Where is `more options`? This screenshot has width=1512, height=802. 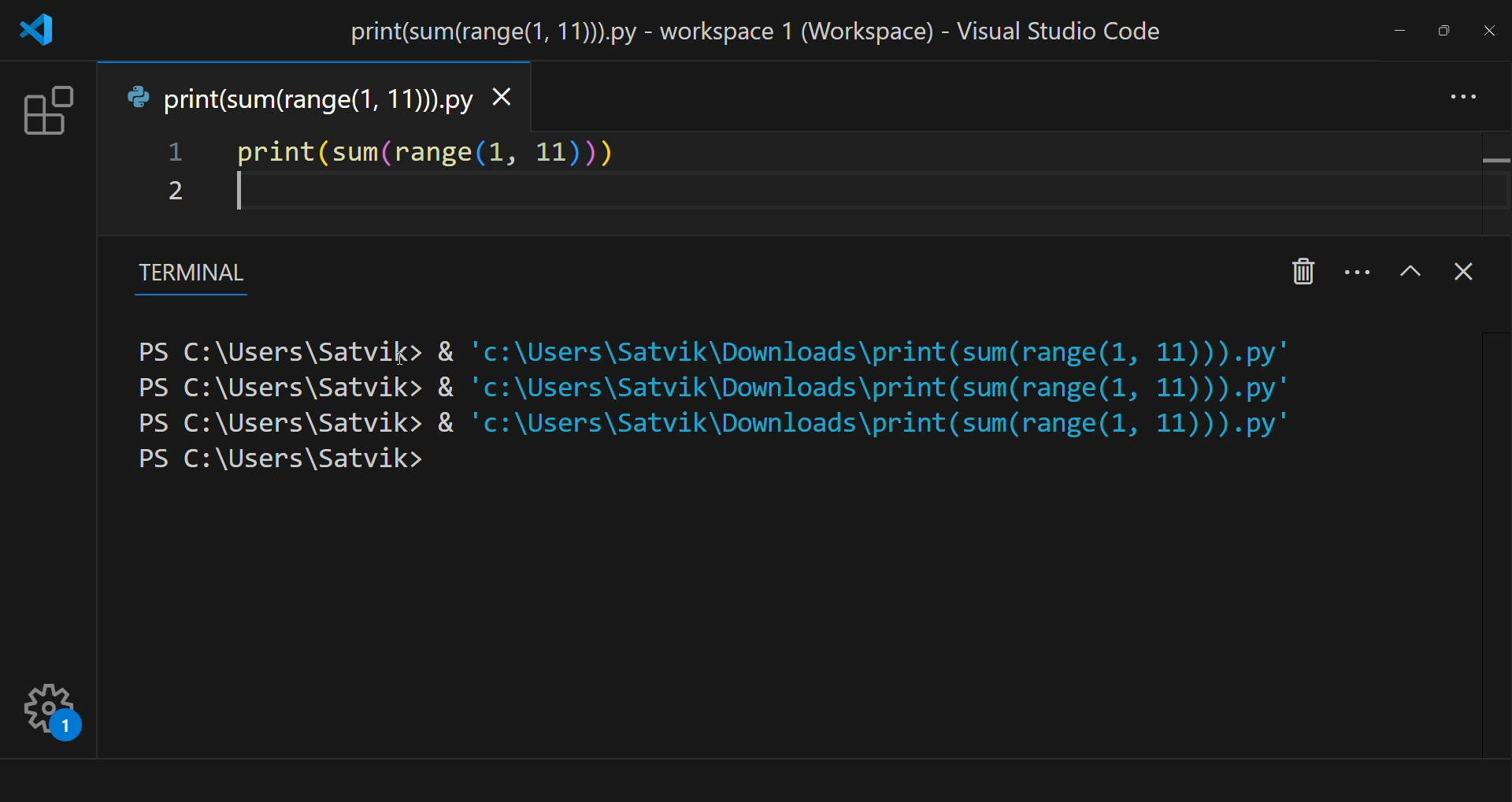 more options is located at coordinates (1358, 269).